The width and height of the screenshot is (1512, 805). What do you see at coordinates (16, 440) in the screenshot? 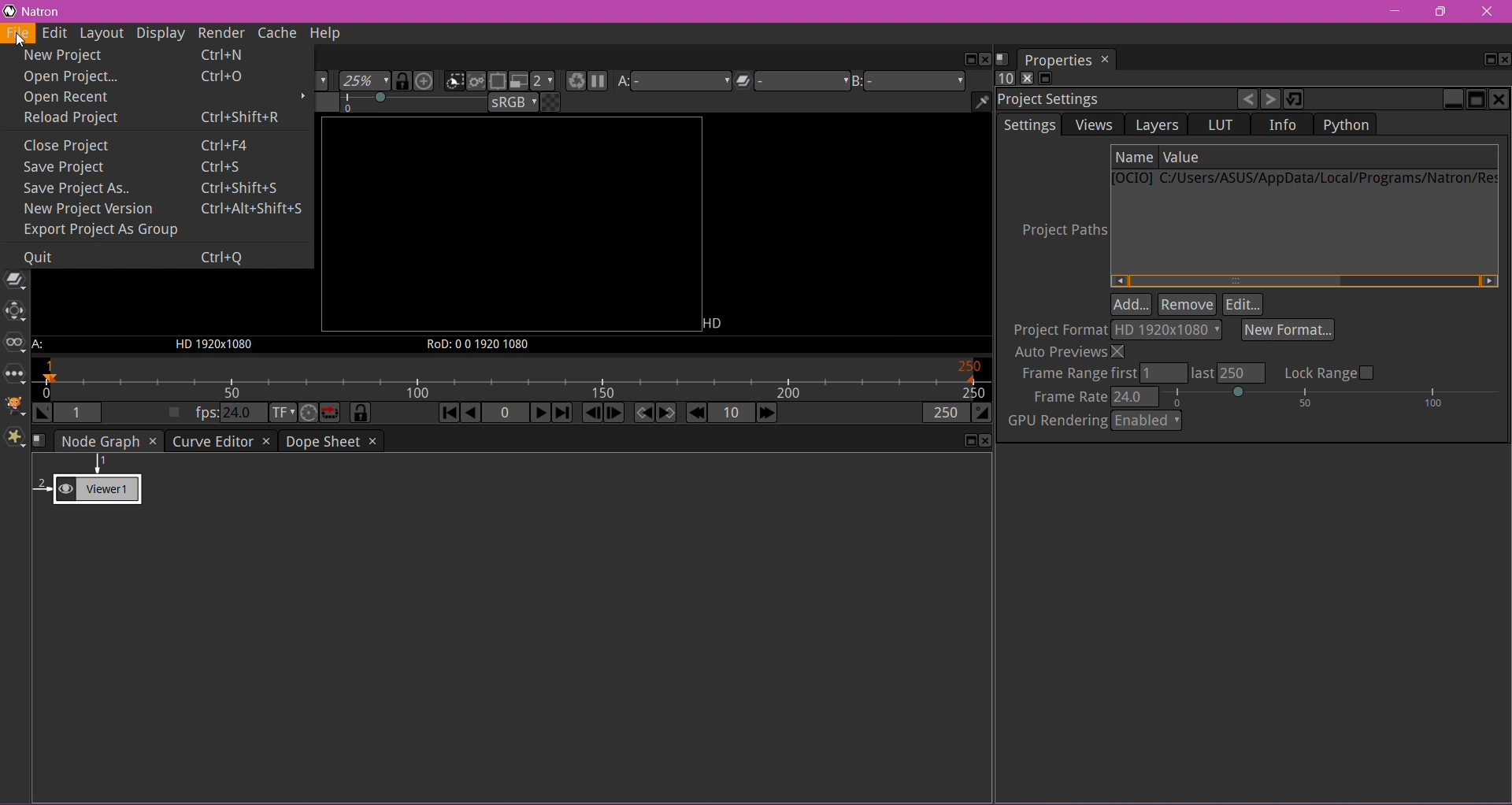
I see `Extra` at bounding box center [16, 440].